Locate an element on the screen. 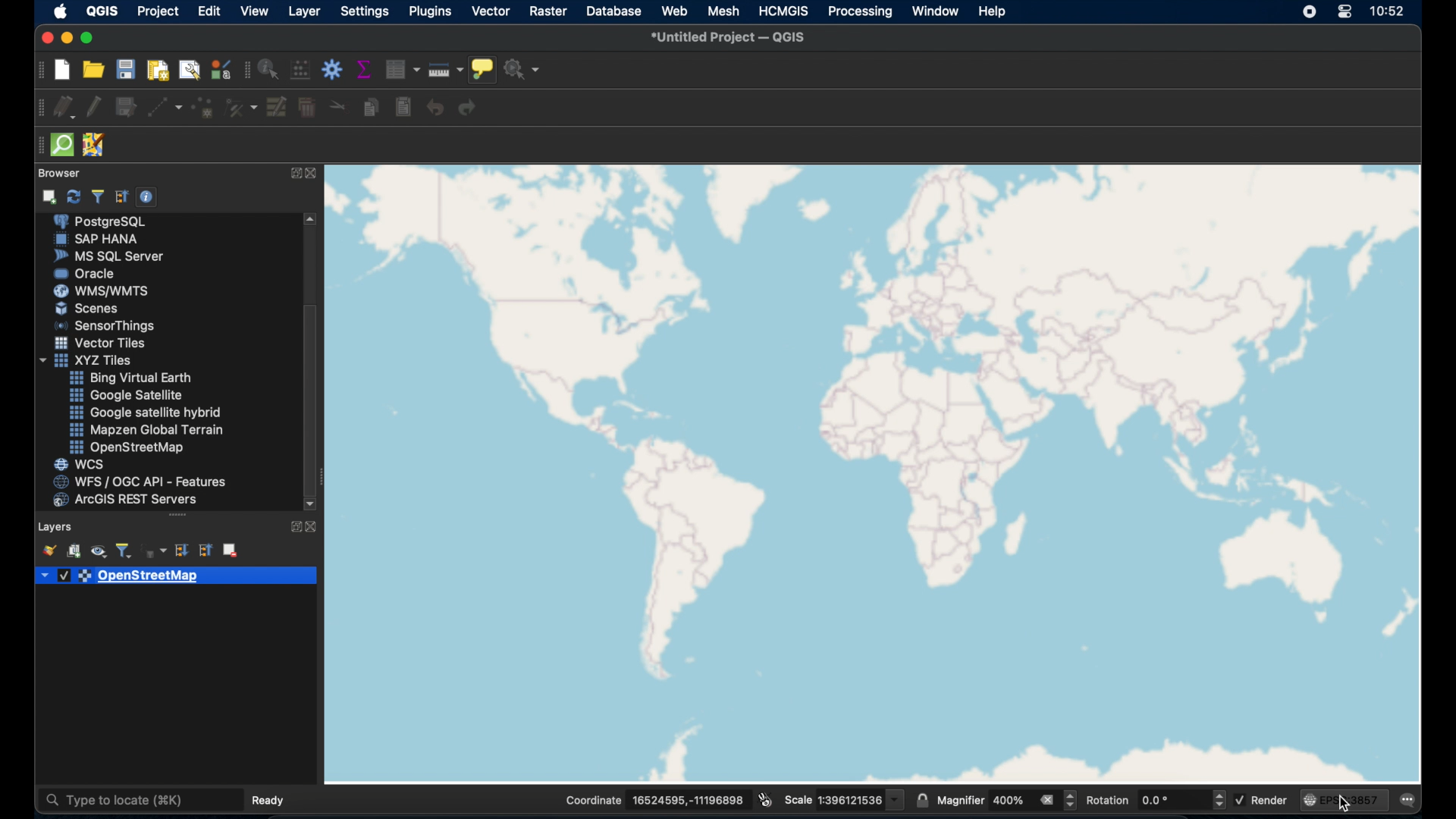  JSOM remote is located at coordinates (96, 145).